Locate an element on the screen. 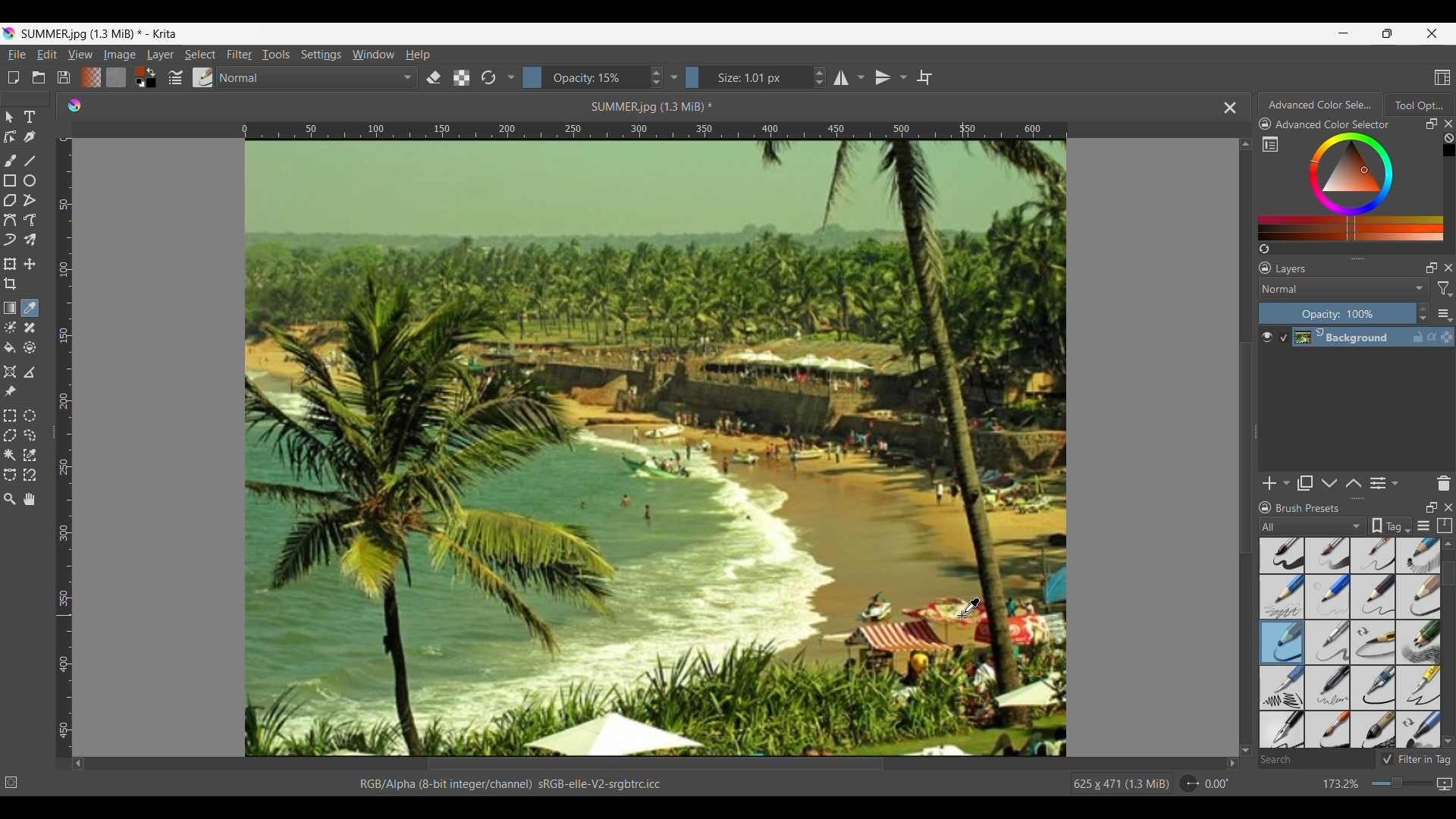 The image size is (1456, 819). Quick slide to left is located at coordinates (78, 764).